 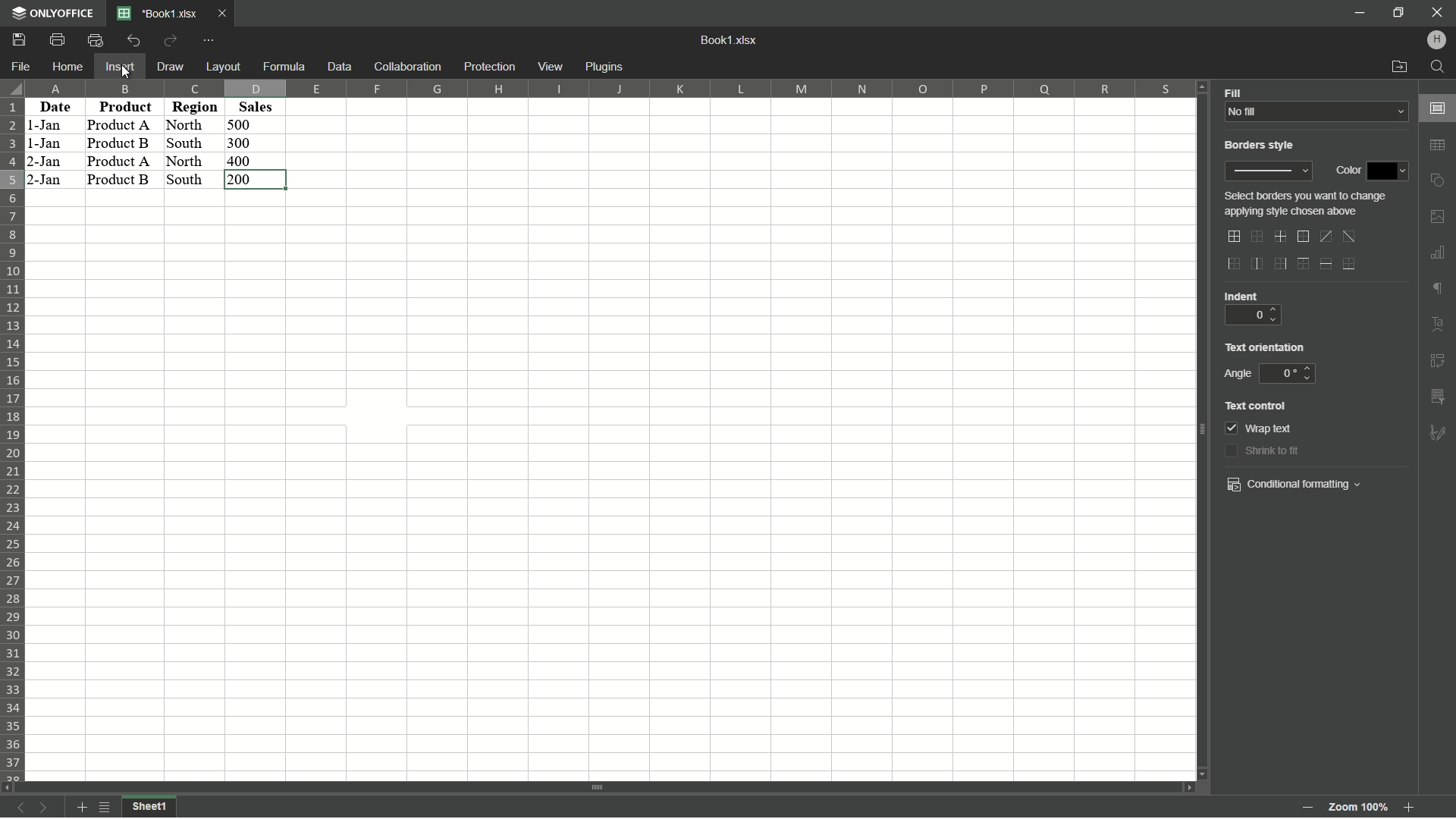 What do you see at coordinates (221, 66) in the screenshot?
I see `Layout` at bounding box center [221, 66].